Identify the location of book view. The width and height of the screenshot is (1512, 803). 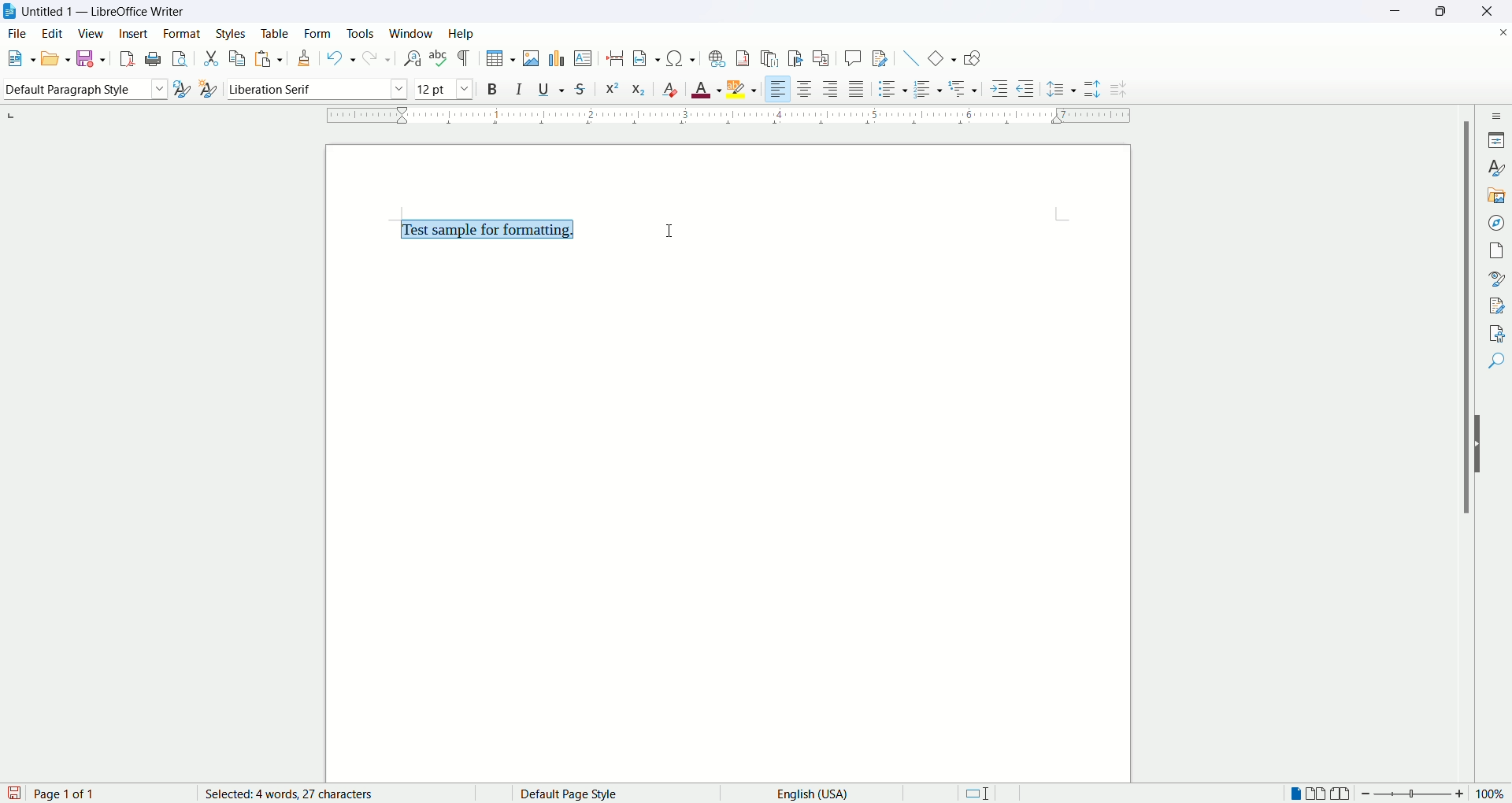
(1343, 793).